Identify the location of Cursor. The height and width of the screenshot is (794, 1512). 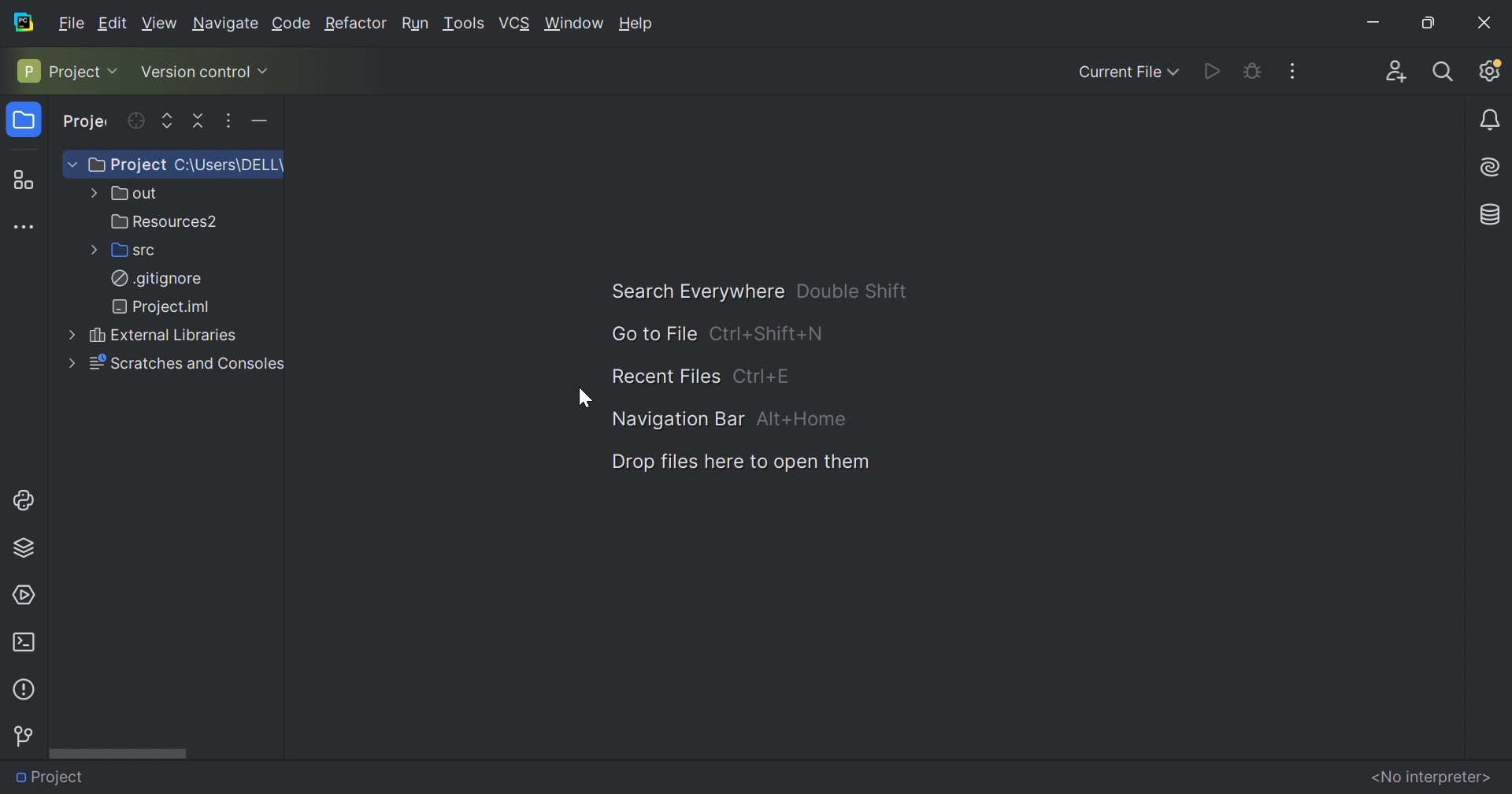
(574, 396).